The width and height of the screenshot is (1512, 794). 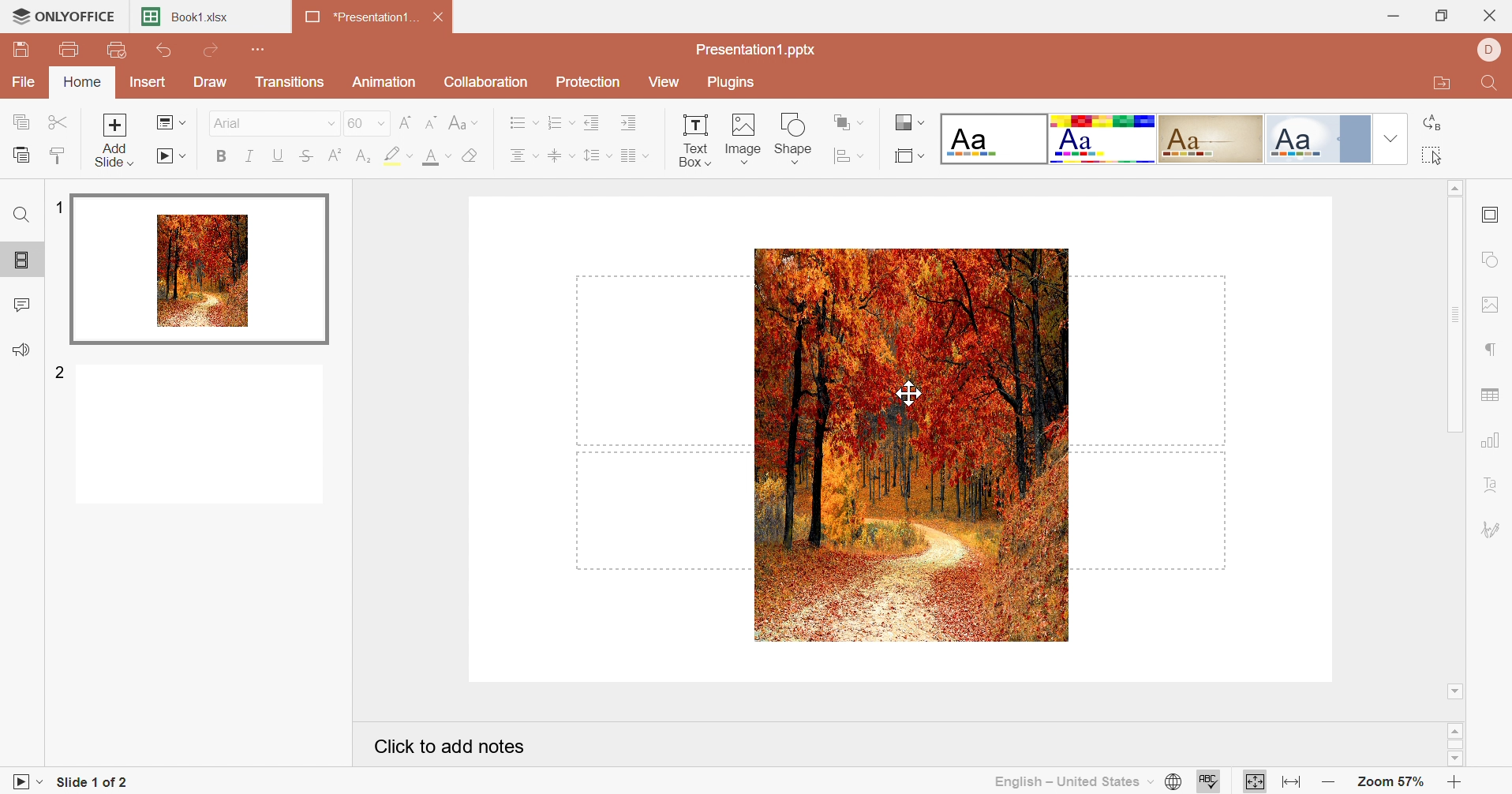 What do you see at coordinates (336, 158) in the screenshot?
I see `Superscript` at bounding box center [336, 158].